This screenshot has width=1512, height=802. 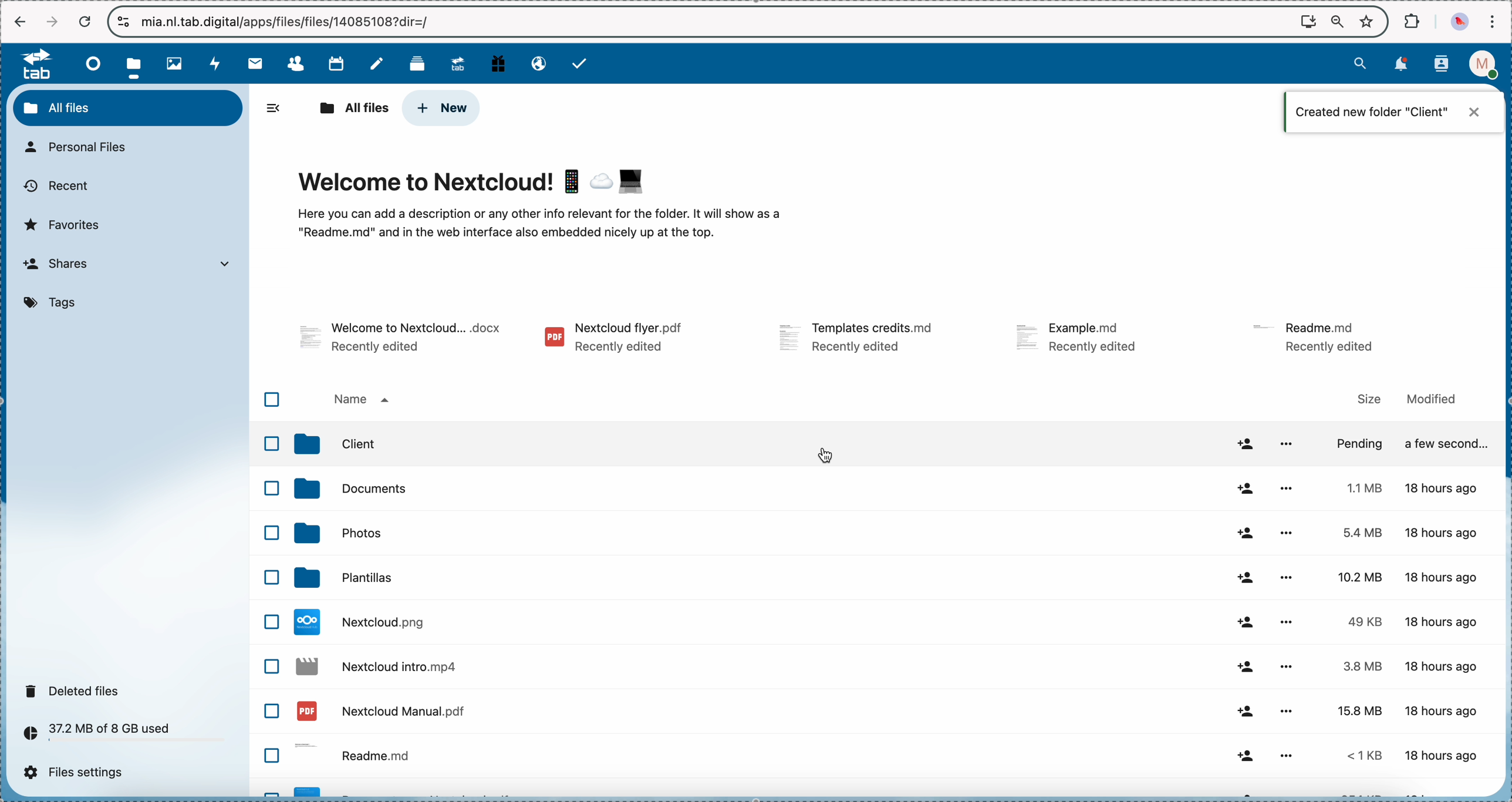 What do you see at coordinates (752, 668) in the screenshot?
I see `file` at bounding box center [752, 668].